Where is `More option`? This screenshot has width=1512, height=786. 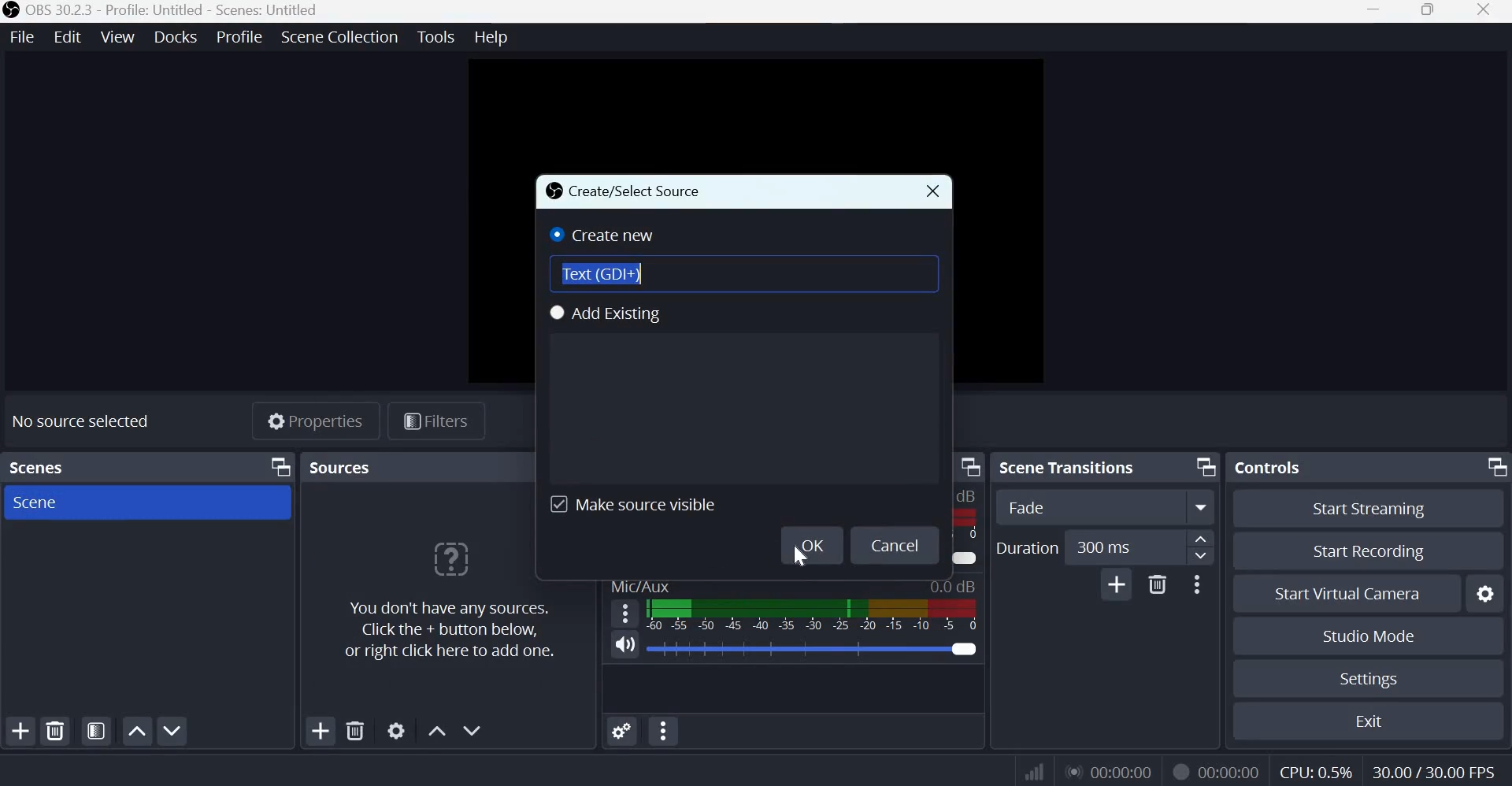 More option is located at coordinates (1202, 507).